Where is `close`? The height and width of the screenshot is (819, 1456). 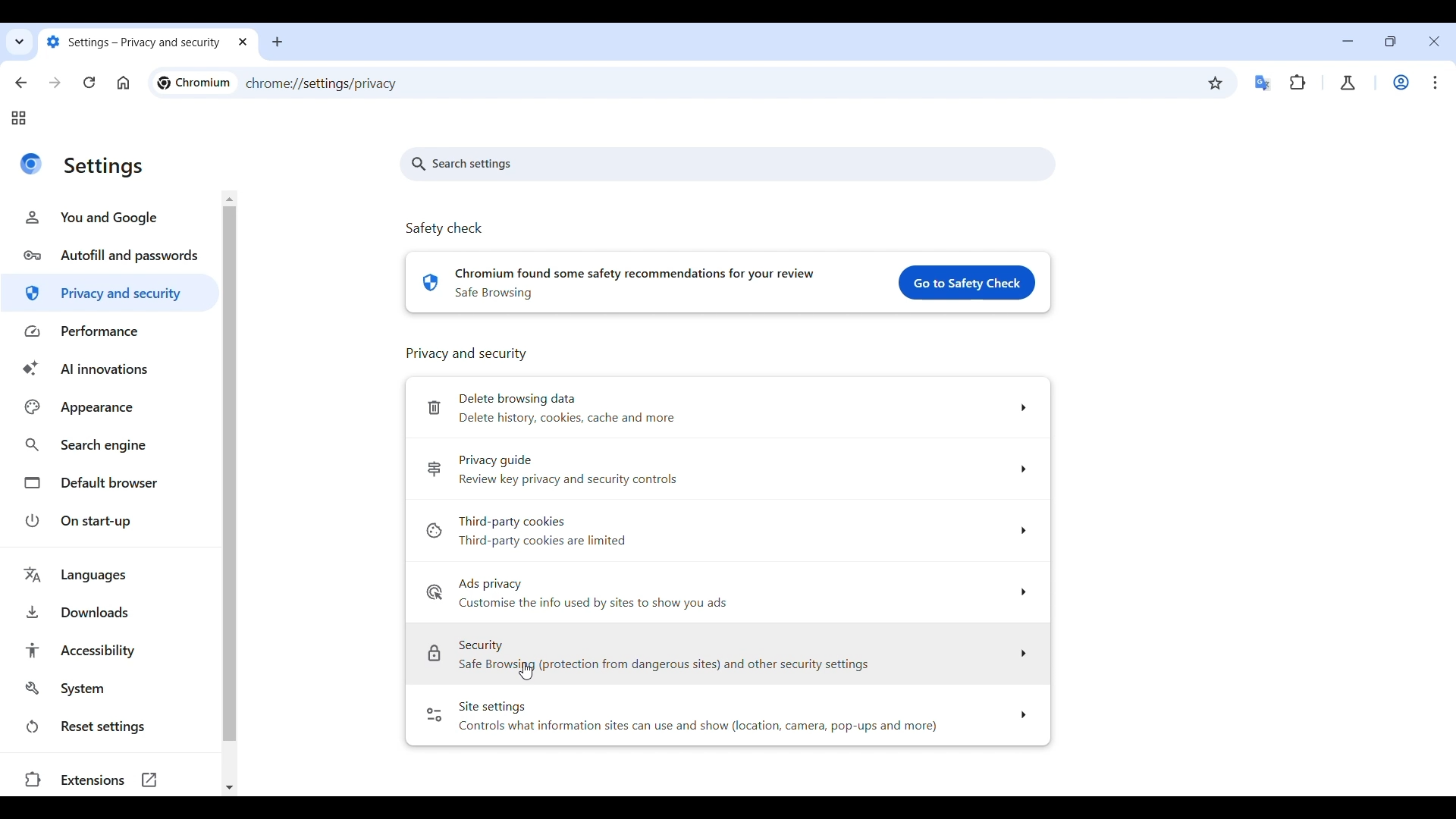
close is located at coordinates (243, 44).